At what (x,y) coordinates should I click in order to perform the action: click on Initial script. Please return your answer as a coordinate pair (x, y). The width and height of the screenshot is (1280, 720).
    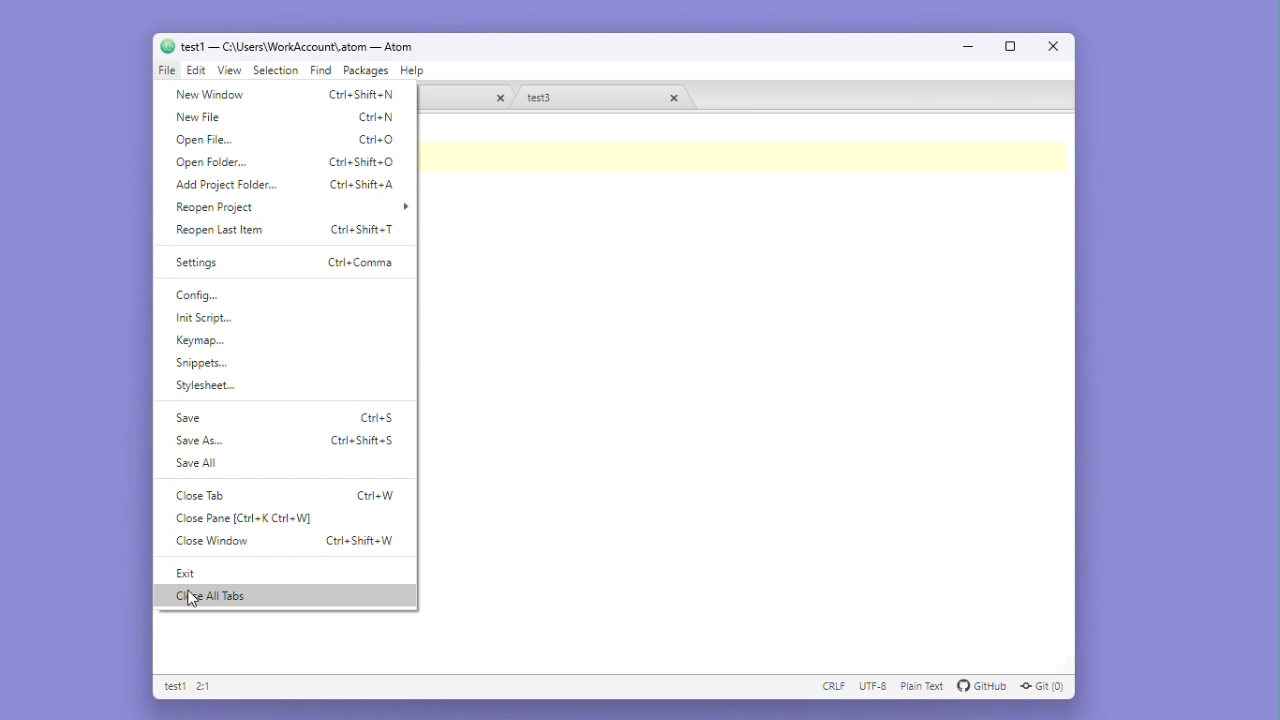
    Looking at the image, I should click on (202, 319).